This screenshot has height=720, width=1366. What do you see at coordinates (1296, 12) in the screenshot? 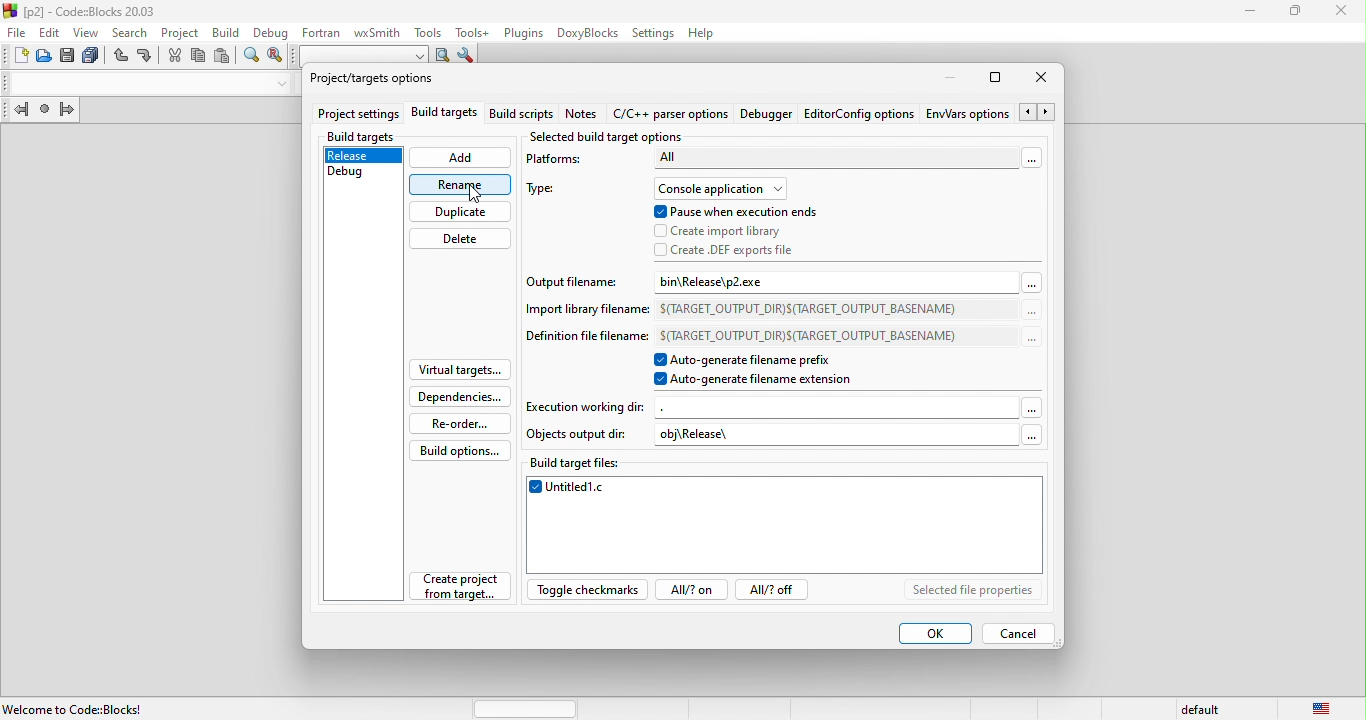
I see `maximize` at bounding box center [1296, 12].